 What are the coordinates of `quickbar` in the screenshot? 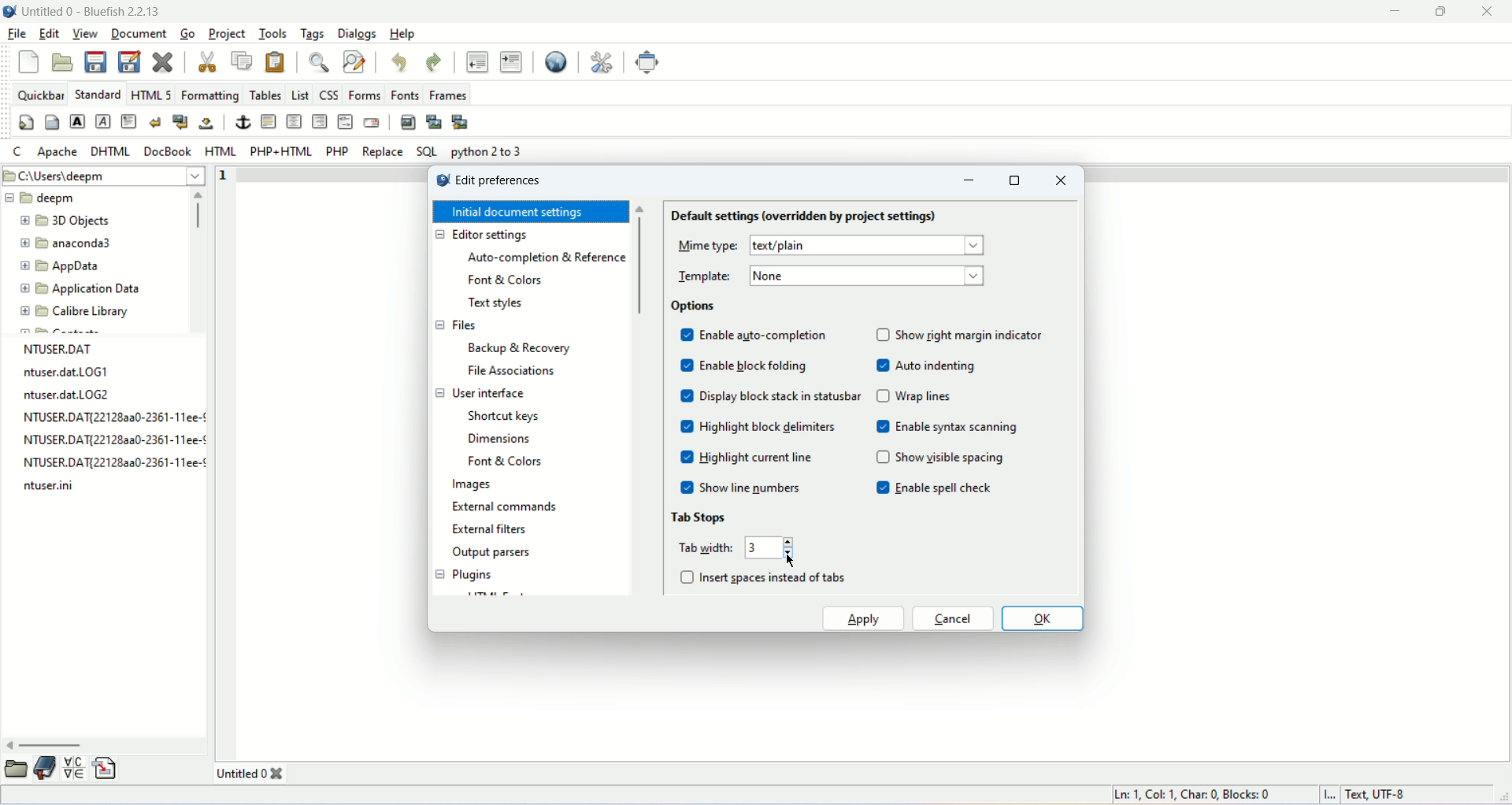 It's located at (40, 93).